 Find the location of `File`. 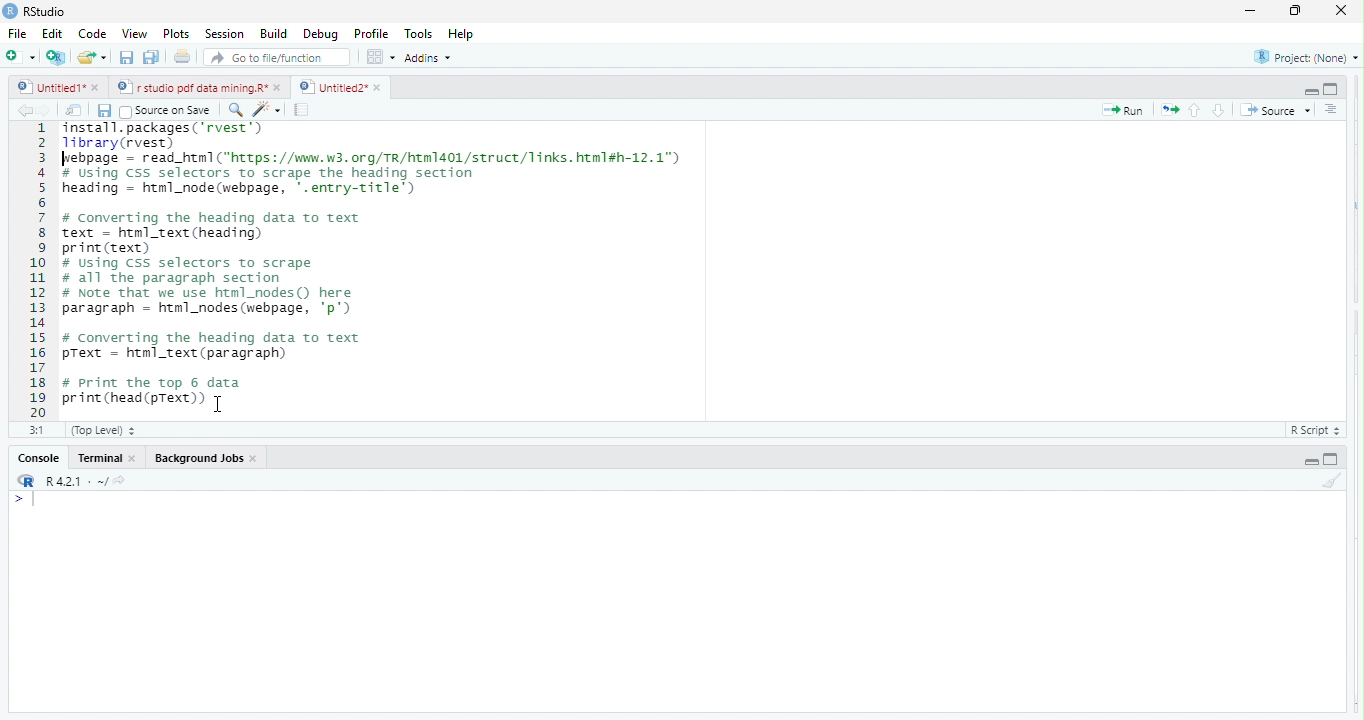

File is located at coordinates (17, 34).